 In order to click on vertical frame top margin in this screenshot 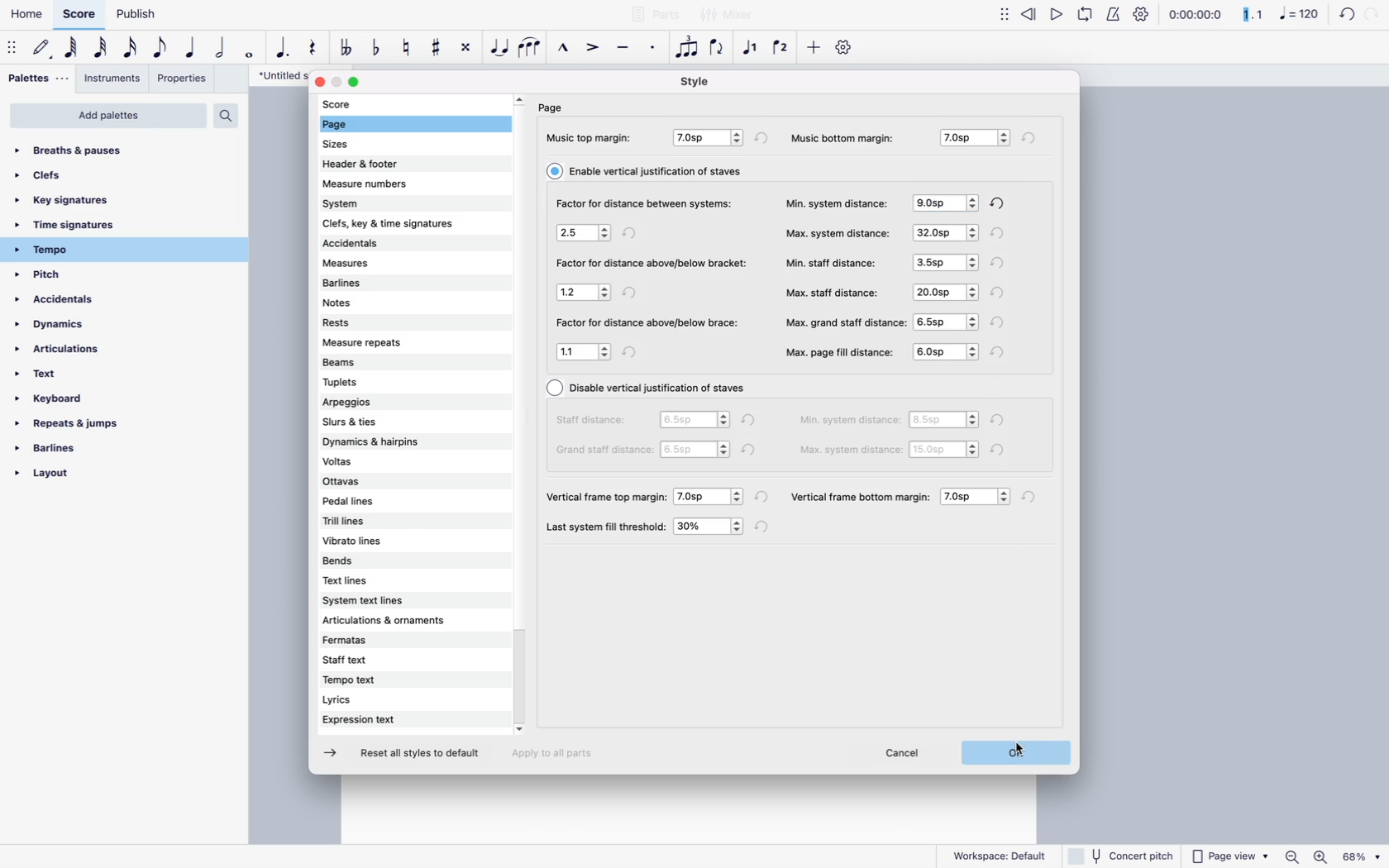, I will do `click(608, 495)`.